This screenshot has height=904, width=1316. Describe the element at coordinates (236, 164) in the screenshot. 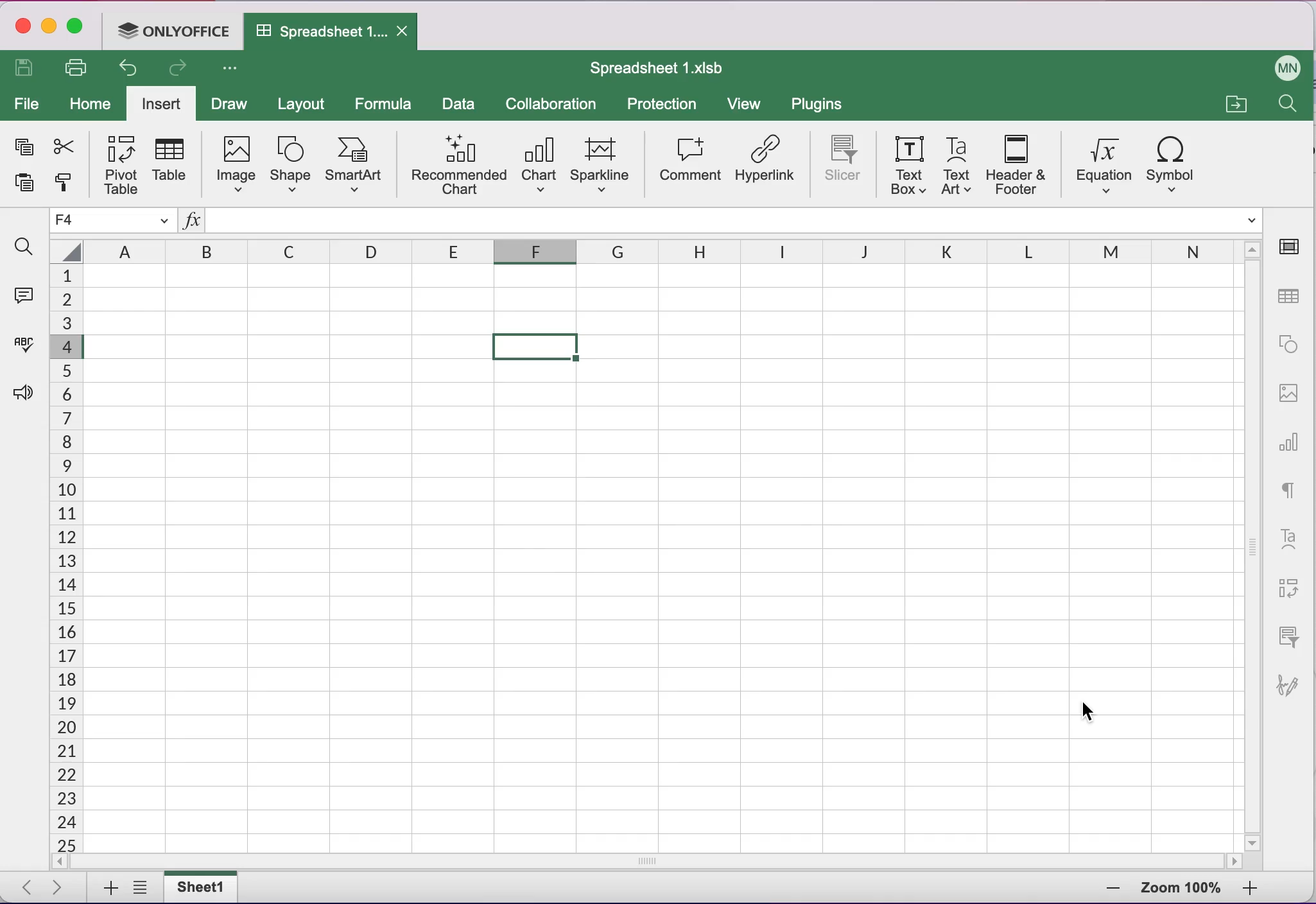

I see `image` at that location.